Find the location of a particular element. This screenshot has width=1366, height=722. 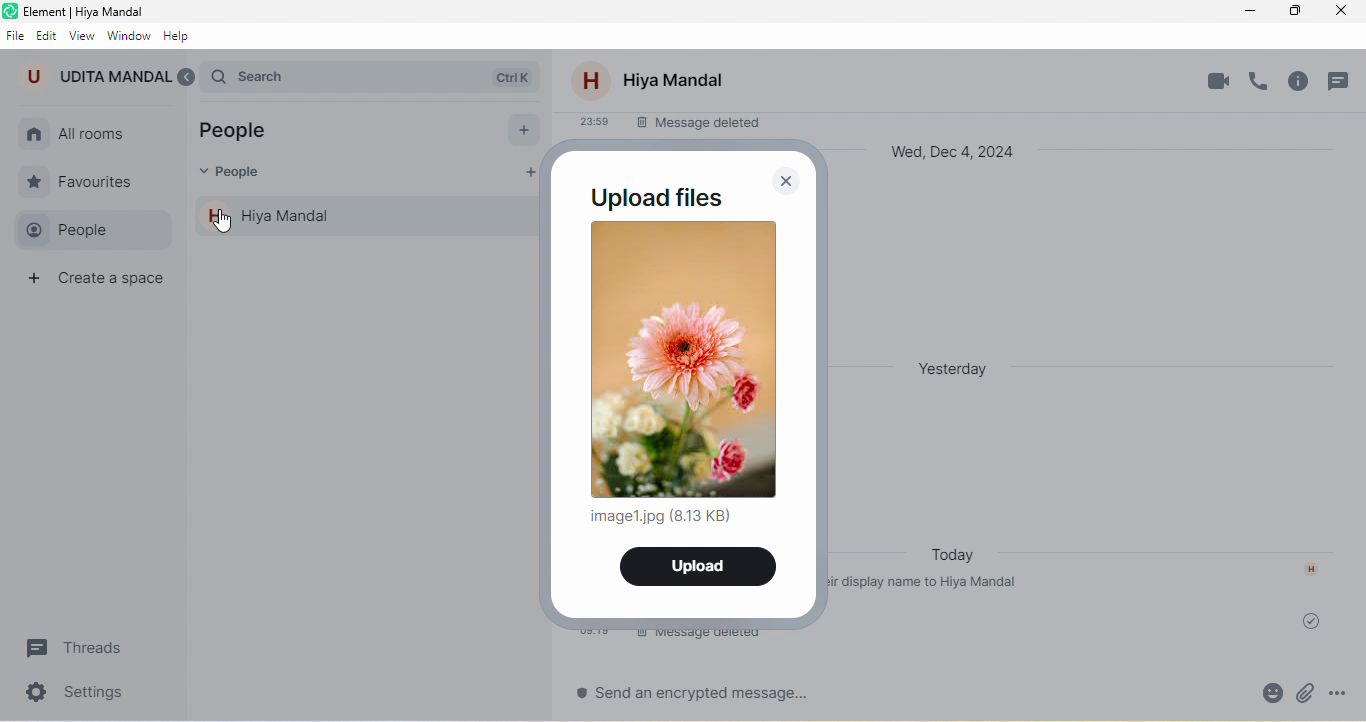

Image is located at coordinates (686, 358).